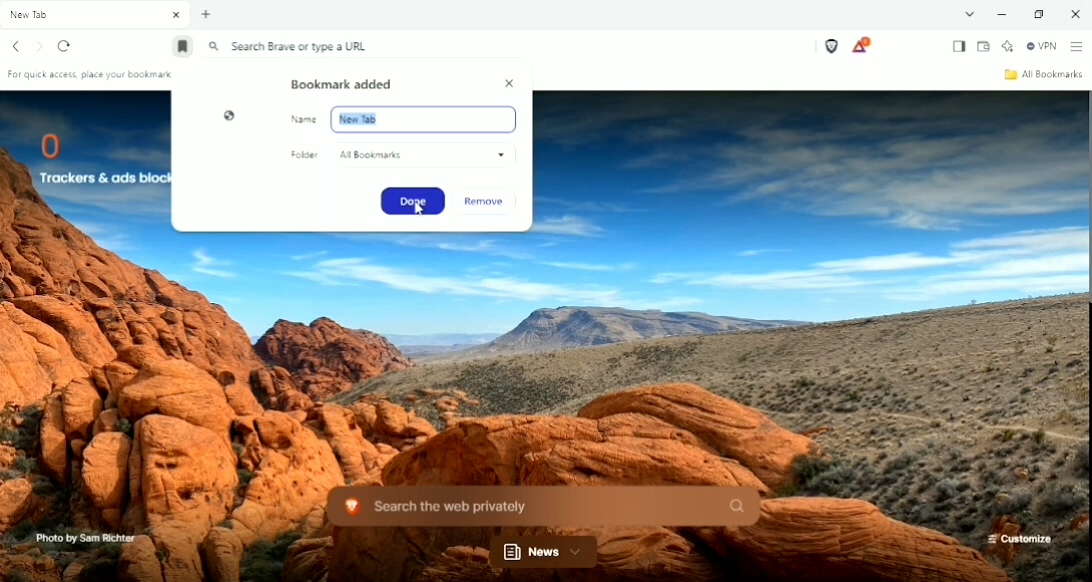 Image resolution: width=1092 pixels, height=582 pixels. Describe the element at coordinates (40, 46) in the screenshot. I see `Click to go forward` at that location.